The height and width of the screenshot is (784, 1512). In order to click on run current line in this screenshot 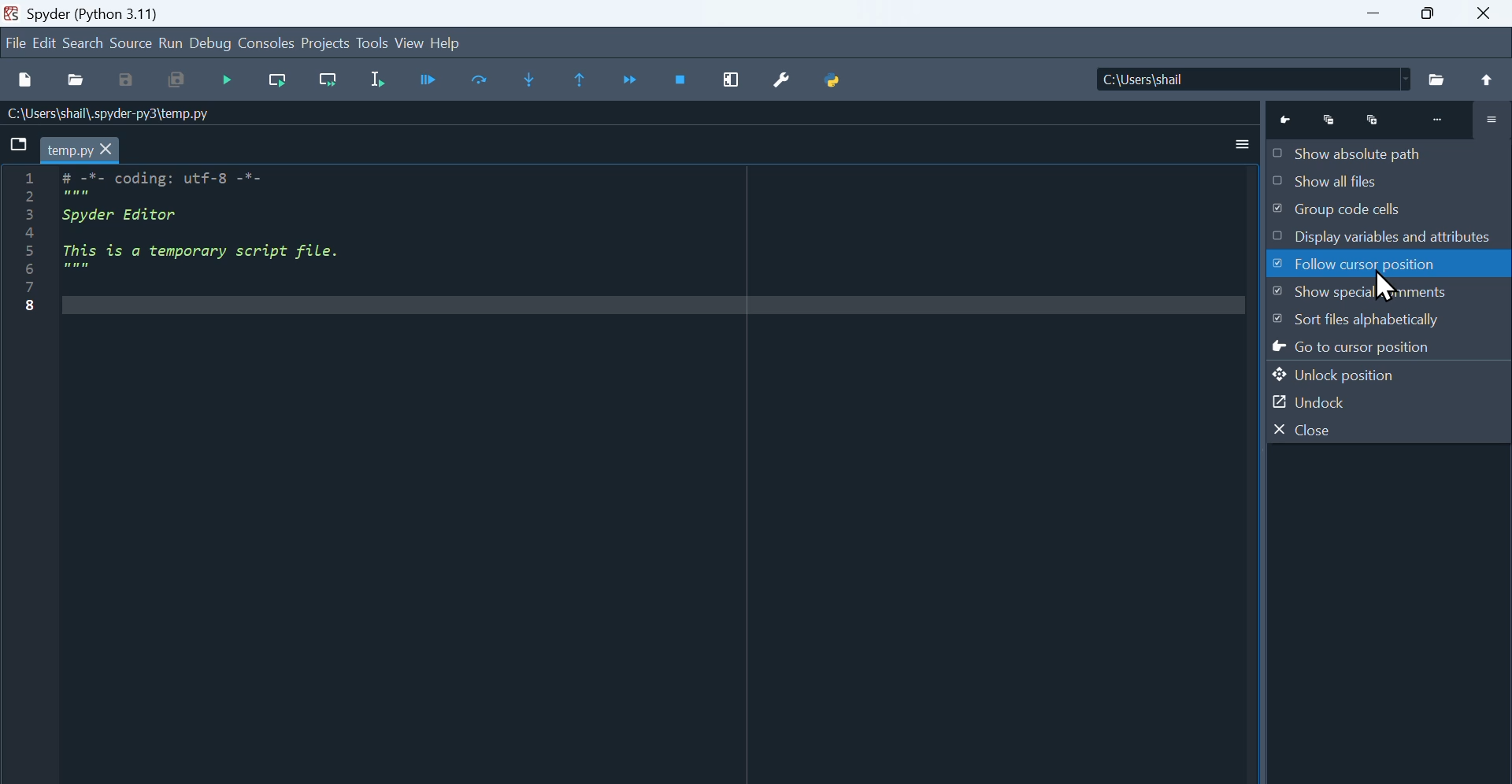, I will do `click(277, 83)`.